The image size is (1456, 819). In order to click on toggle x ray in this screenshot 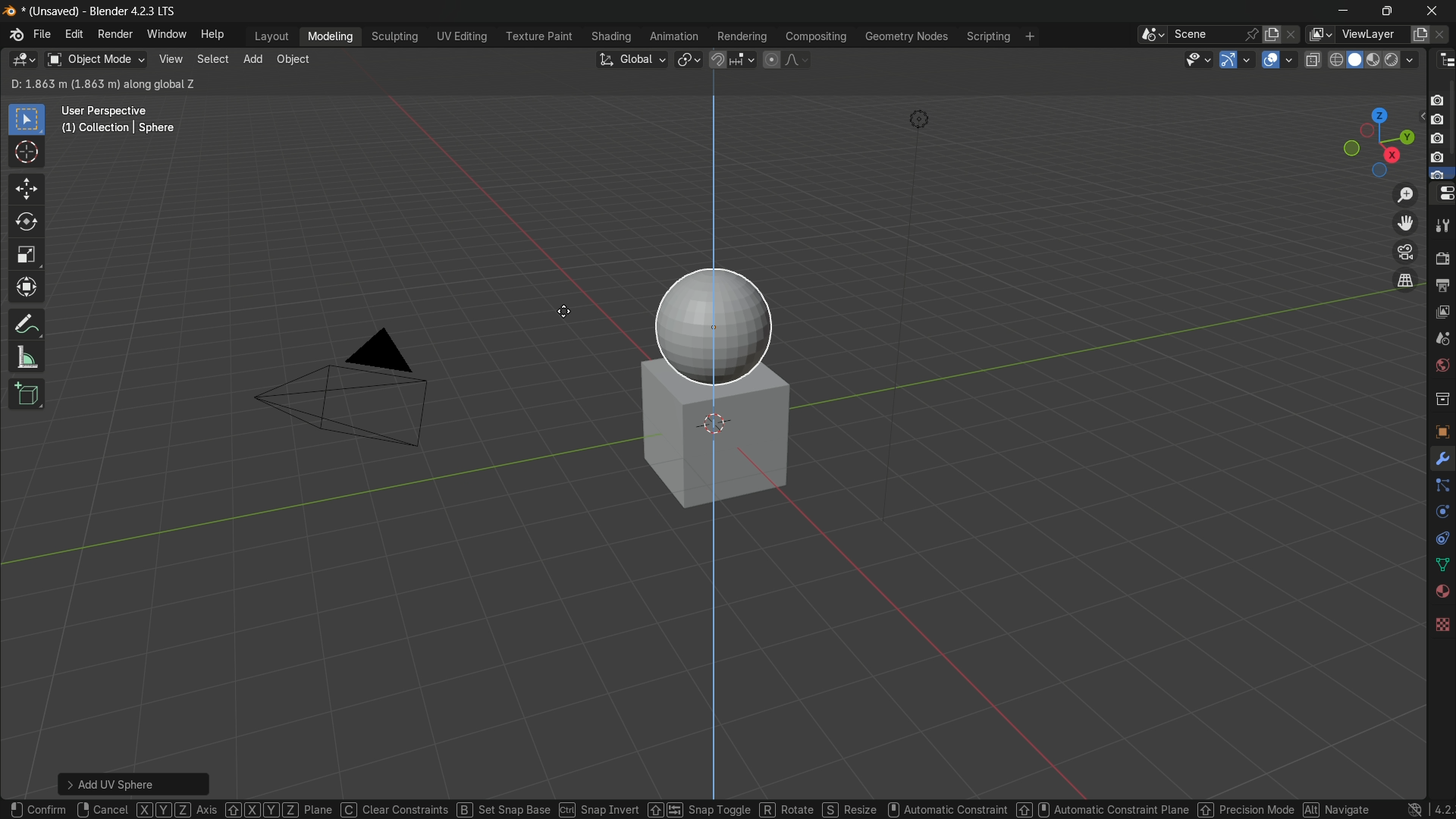, I will do `click(1311, 59)`.